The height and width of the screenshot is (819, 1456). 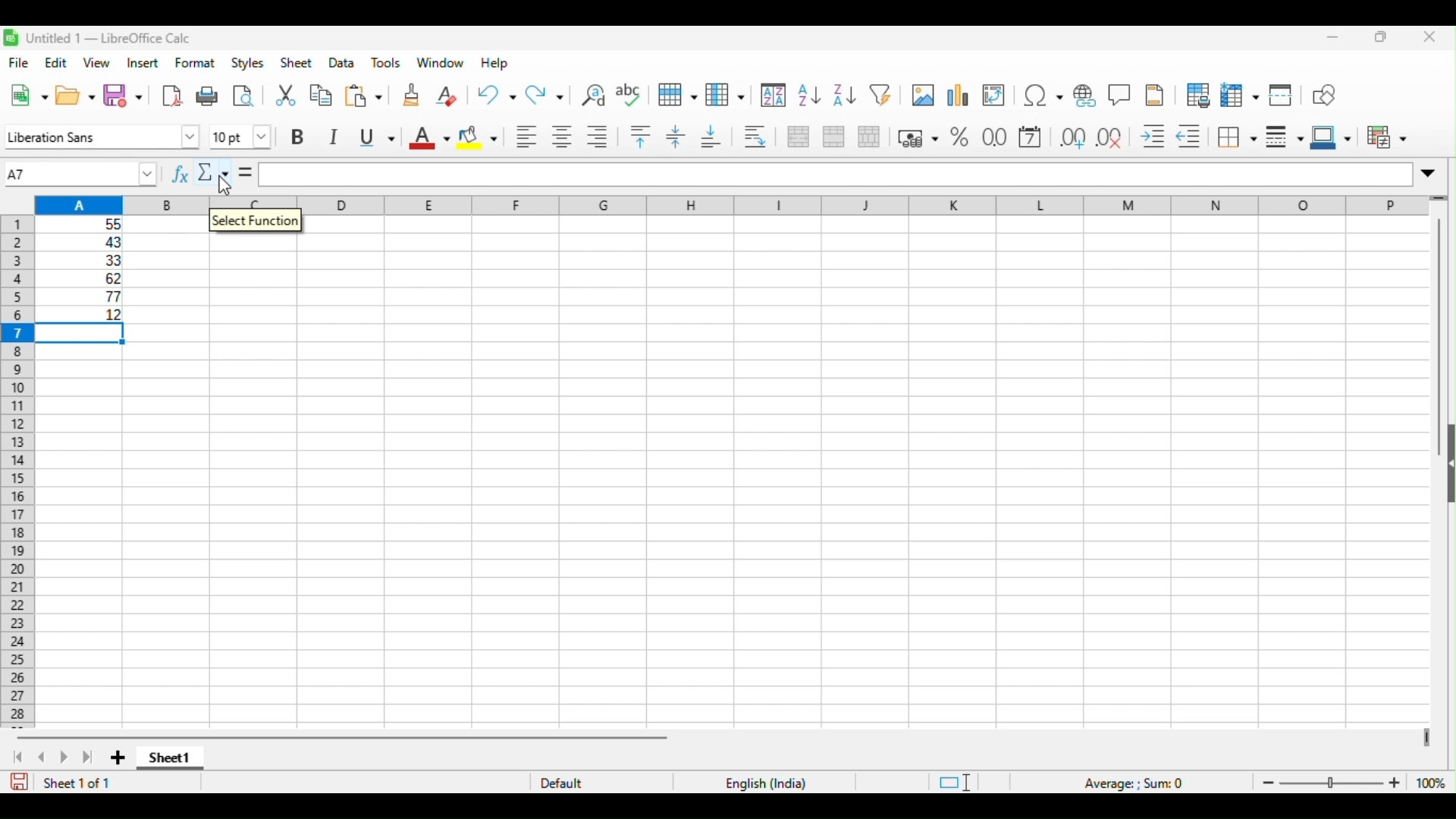 I want to click on horizontal scroll bar, so click(x=345, y=737).